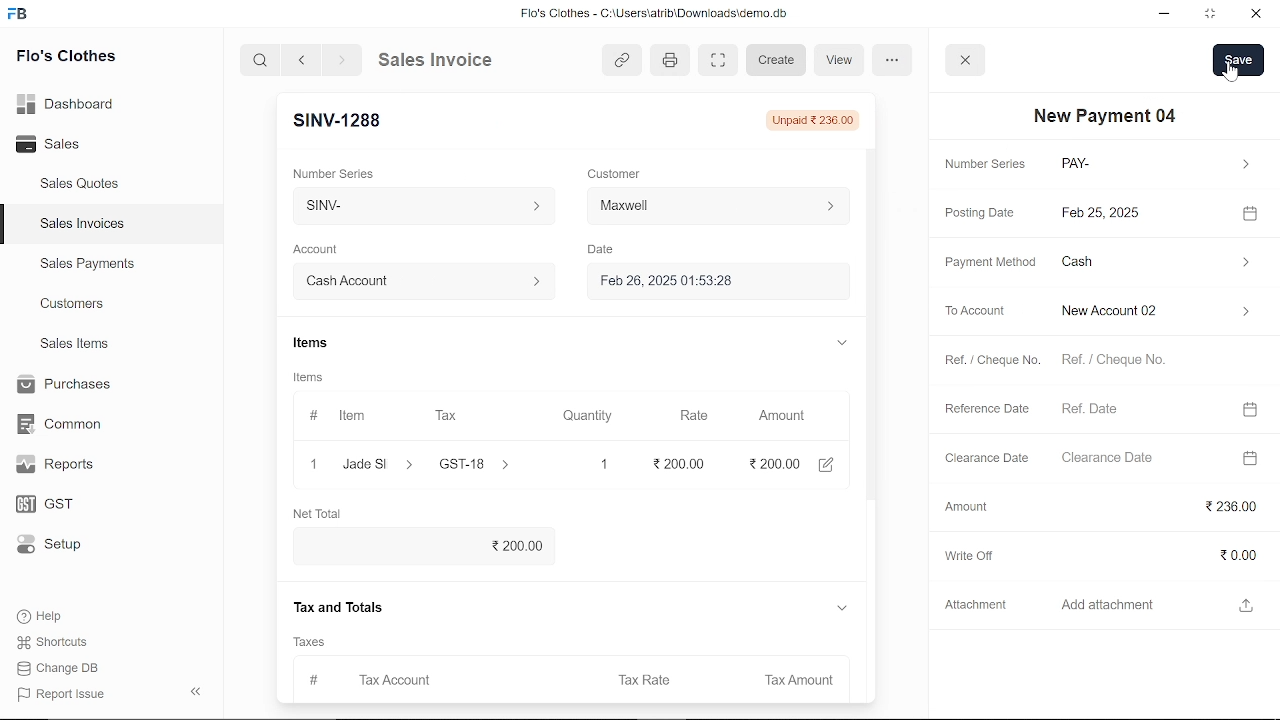  What do you see at coordinates (197, 689) in the screenshot?
I see `hide` at bounding box center [197, 689].